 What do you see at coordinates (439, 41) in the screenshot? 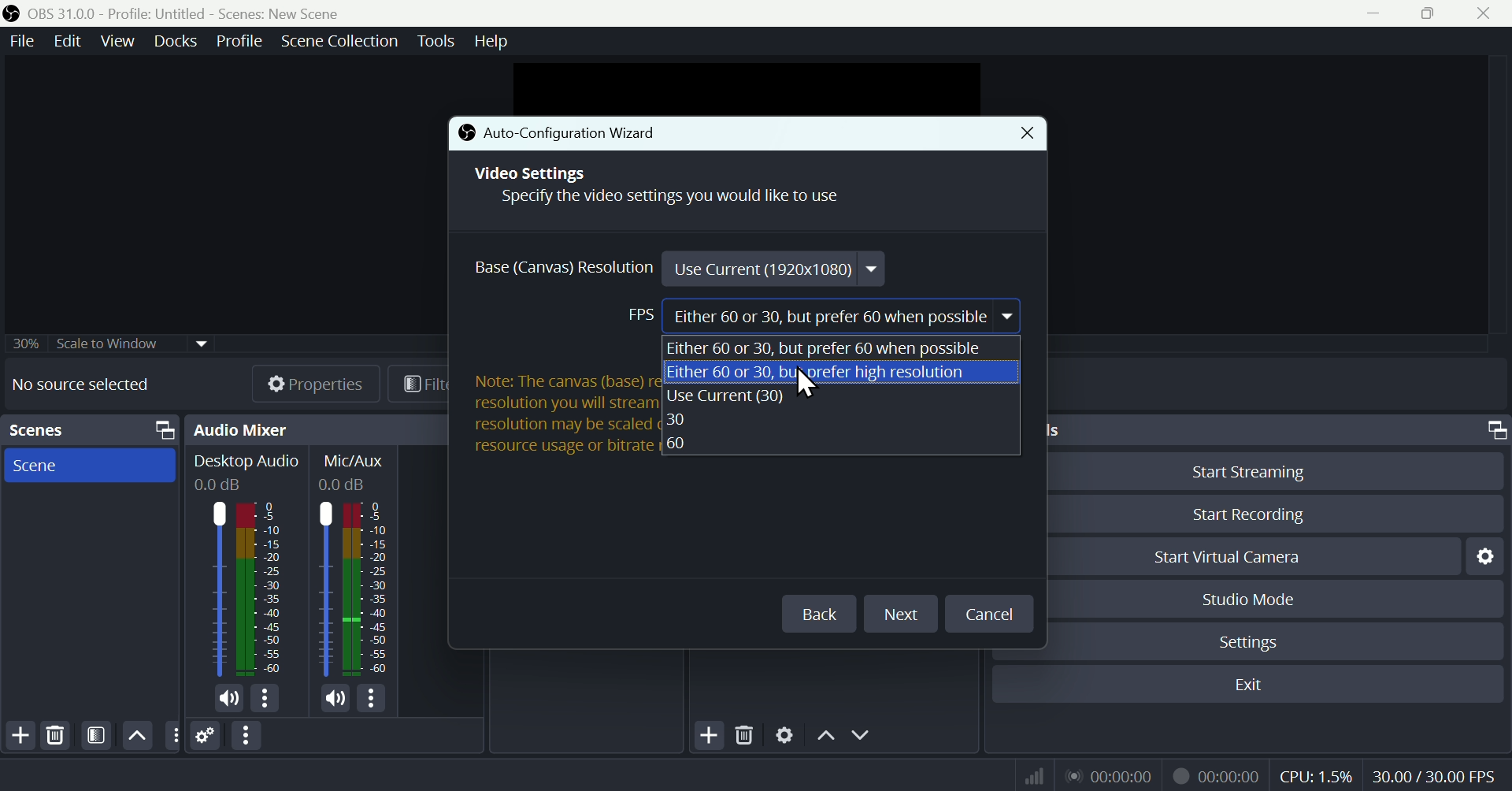
I see `Tools` at bounding box center [439, 41].